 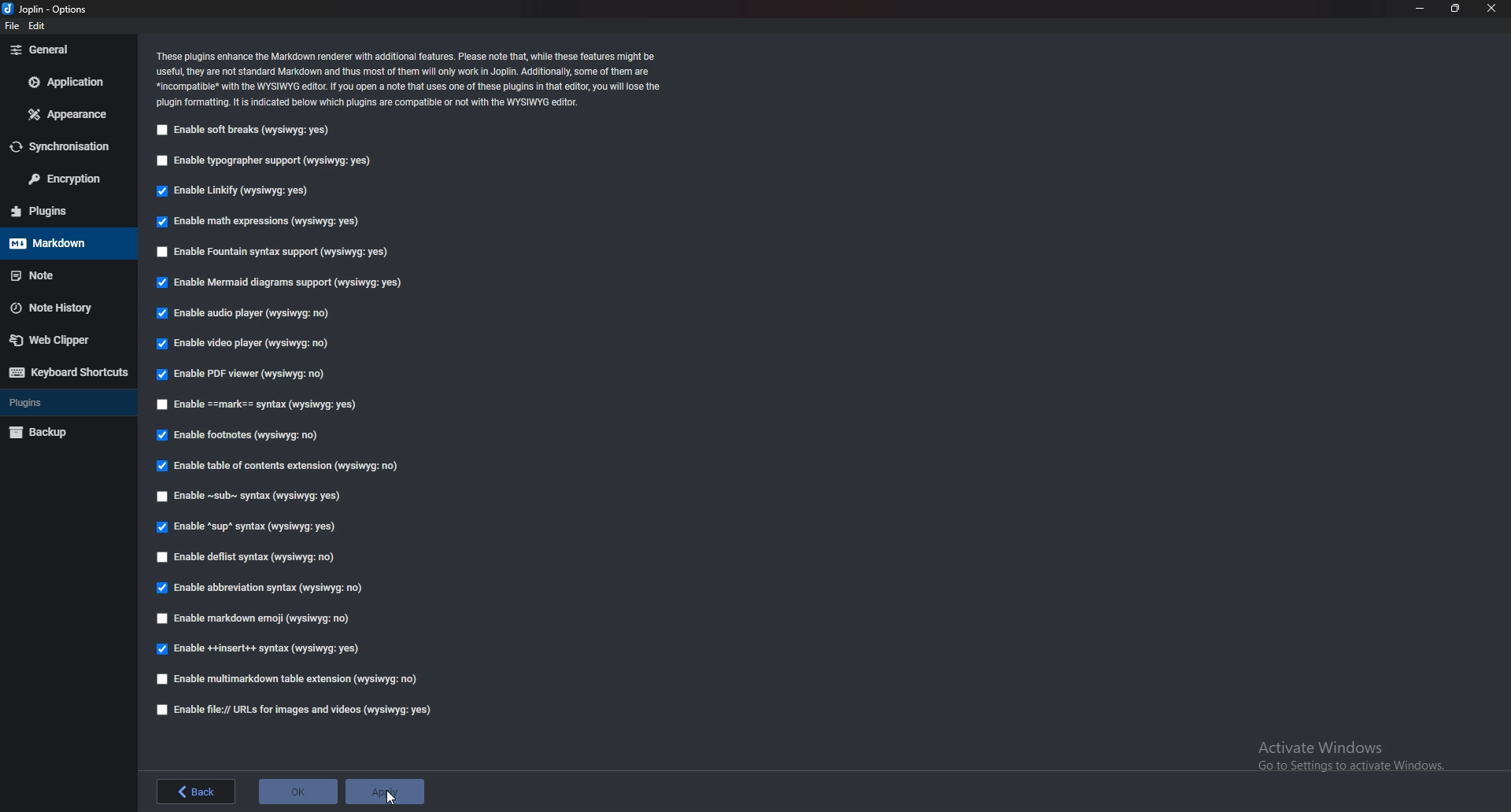 What do you see at coordinates (68, 403) in the screenshot?
I see `plugins` at bounding box center [68, 403].